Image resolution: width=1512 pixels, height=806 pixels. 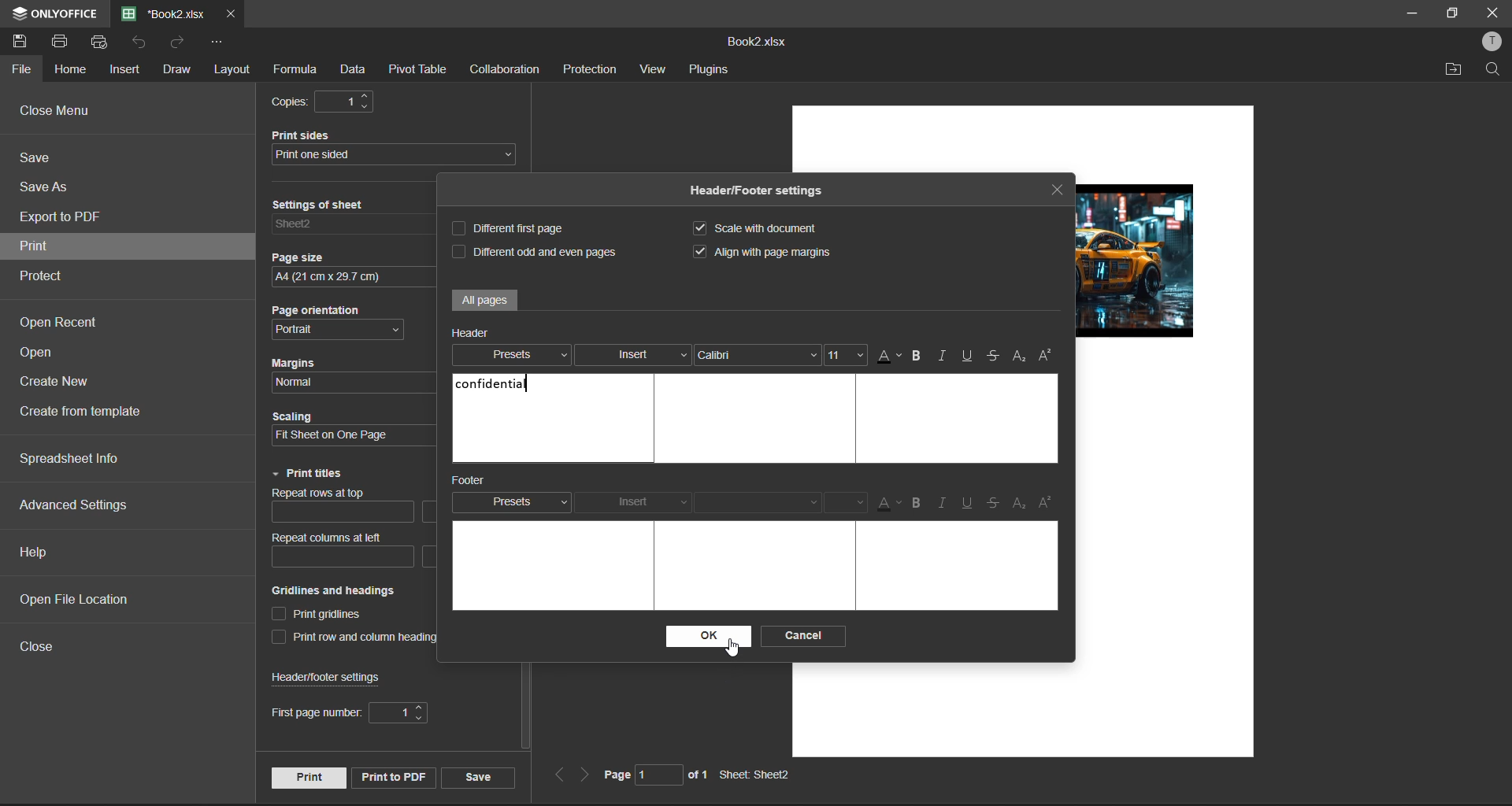 What do you see at coordinates (920, 503) in the screenshot?
I see `bold` at bounding box center [920, 503].